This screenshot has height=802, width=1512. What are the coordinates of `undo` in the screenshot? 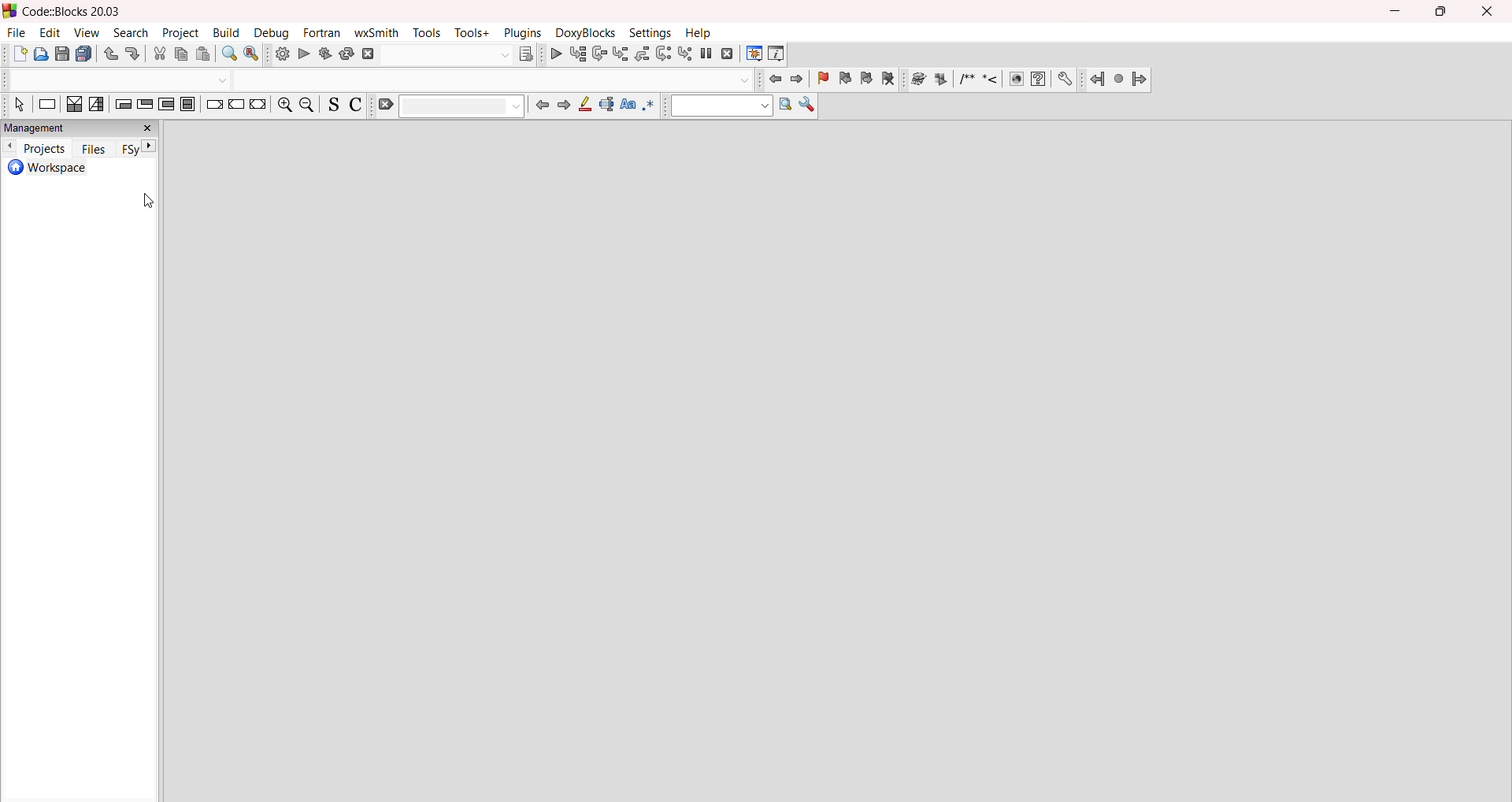 It's located at (112, 54).